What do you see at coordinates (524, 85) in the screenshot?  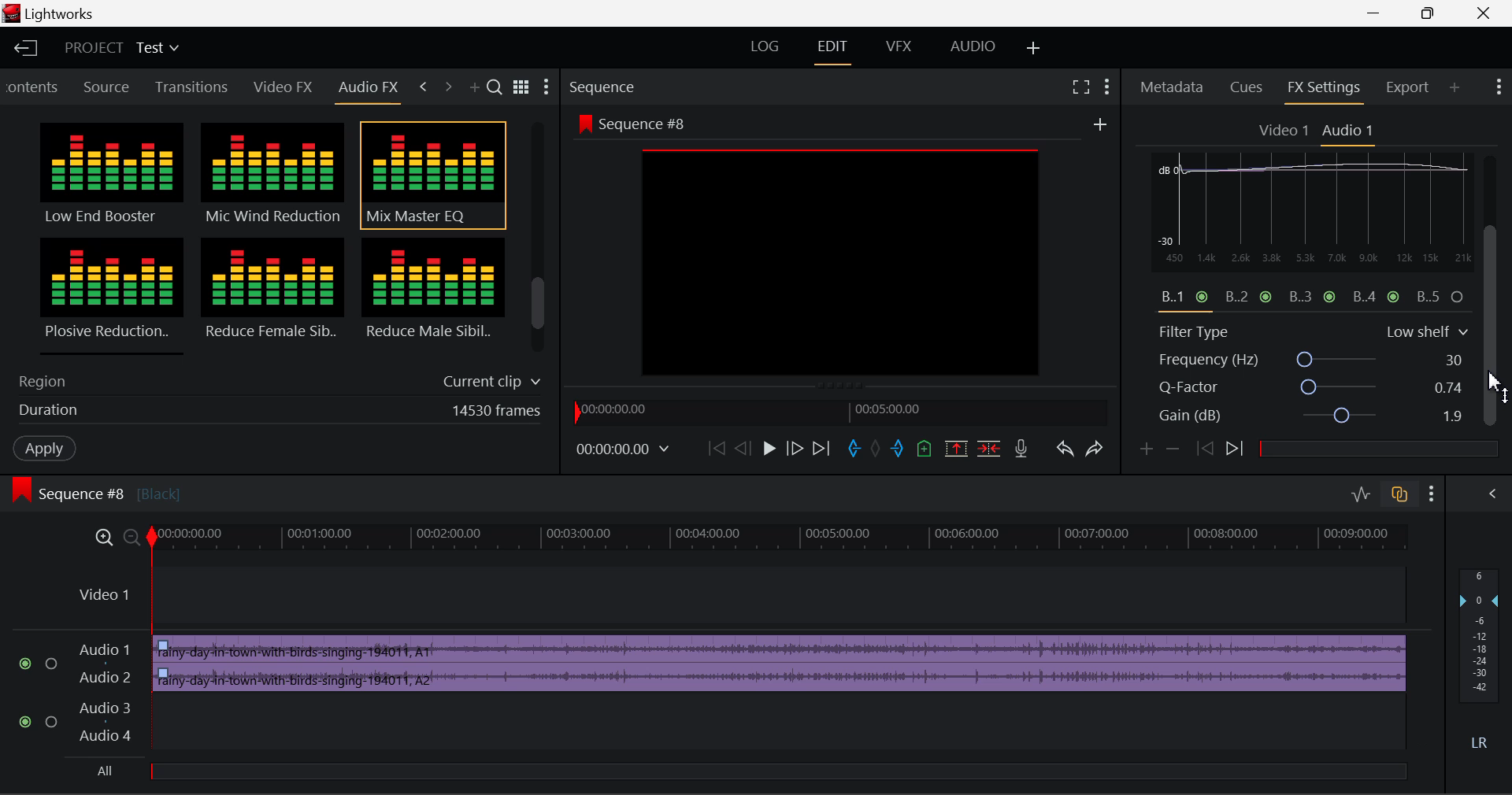 I see `Toggle between title and list view` at bounding box center [524, 85].